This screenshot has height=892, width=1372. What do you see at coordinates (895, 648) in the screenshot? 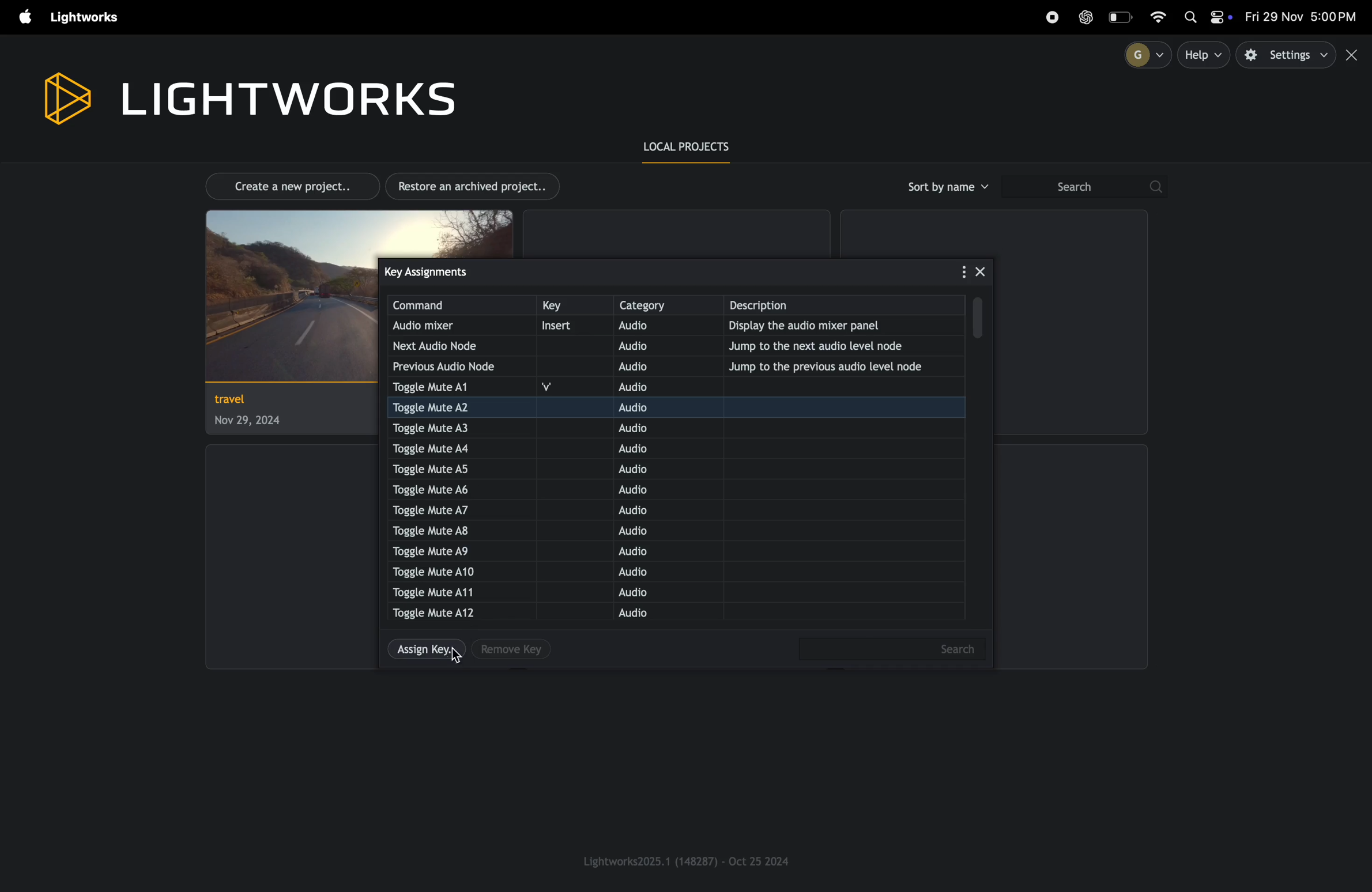
I see `search` at bounding box center [895, 648].